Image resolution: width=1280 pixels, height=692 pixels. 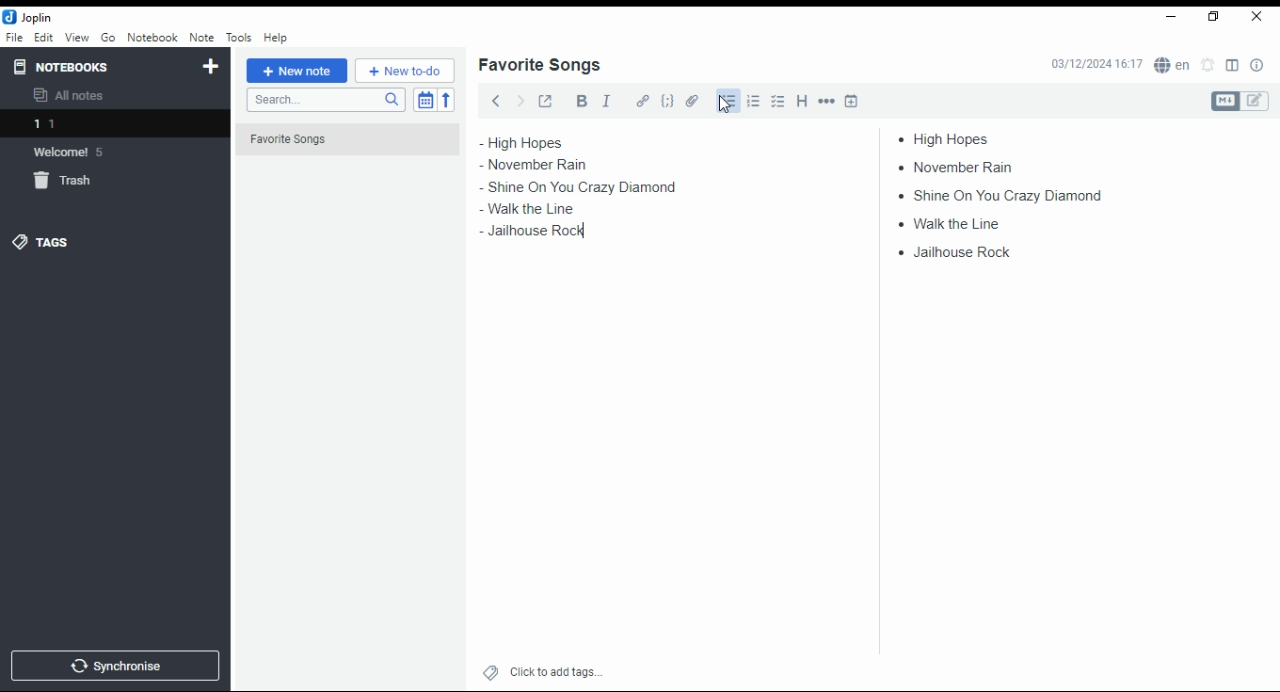 What do you see at coordinates (41, 241) in the screenshot?
I see `tags` at bounding box center [41, 241].